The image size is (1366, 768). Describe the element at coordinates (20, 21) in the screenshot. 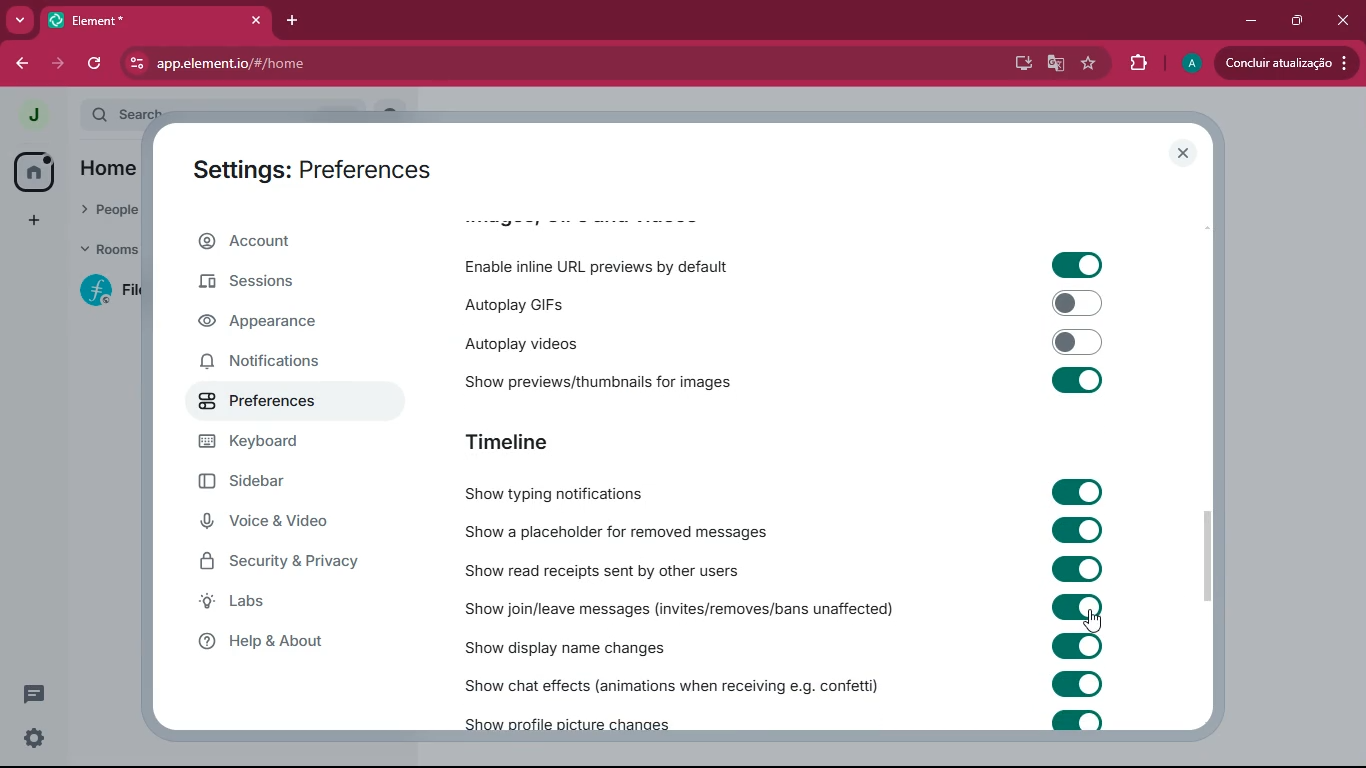

I see `more` at that location.